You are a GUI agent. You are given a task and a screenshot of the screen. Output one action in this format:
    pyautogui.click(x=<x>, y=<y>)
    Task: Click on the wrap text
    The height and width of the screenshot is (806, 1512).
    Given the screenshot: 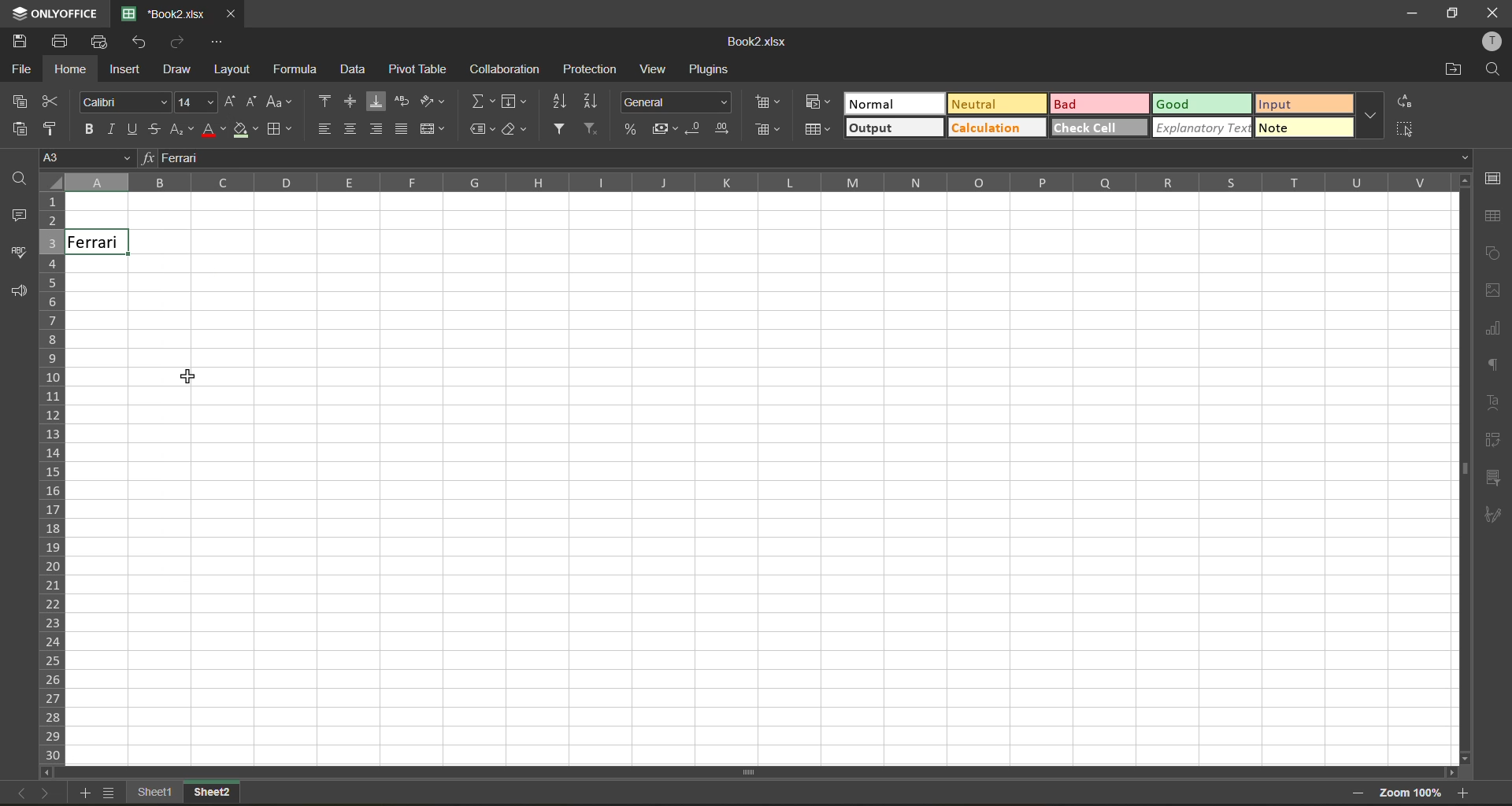 What is the action you would take?
    pyautogui.click(x=402, y=101)
    